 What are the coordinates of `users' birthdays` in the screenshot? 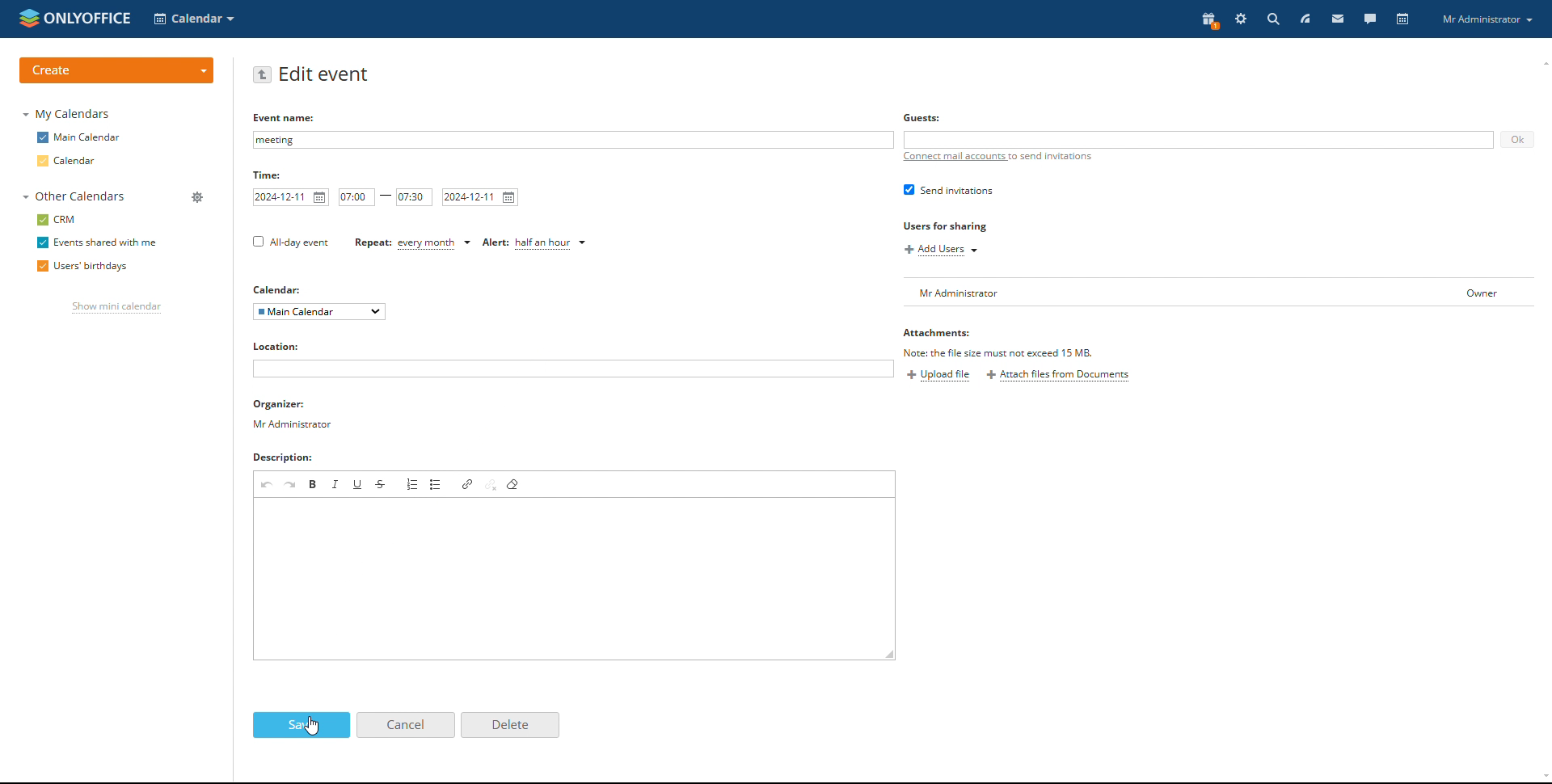 It's located at (84, 267).